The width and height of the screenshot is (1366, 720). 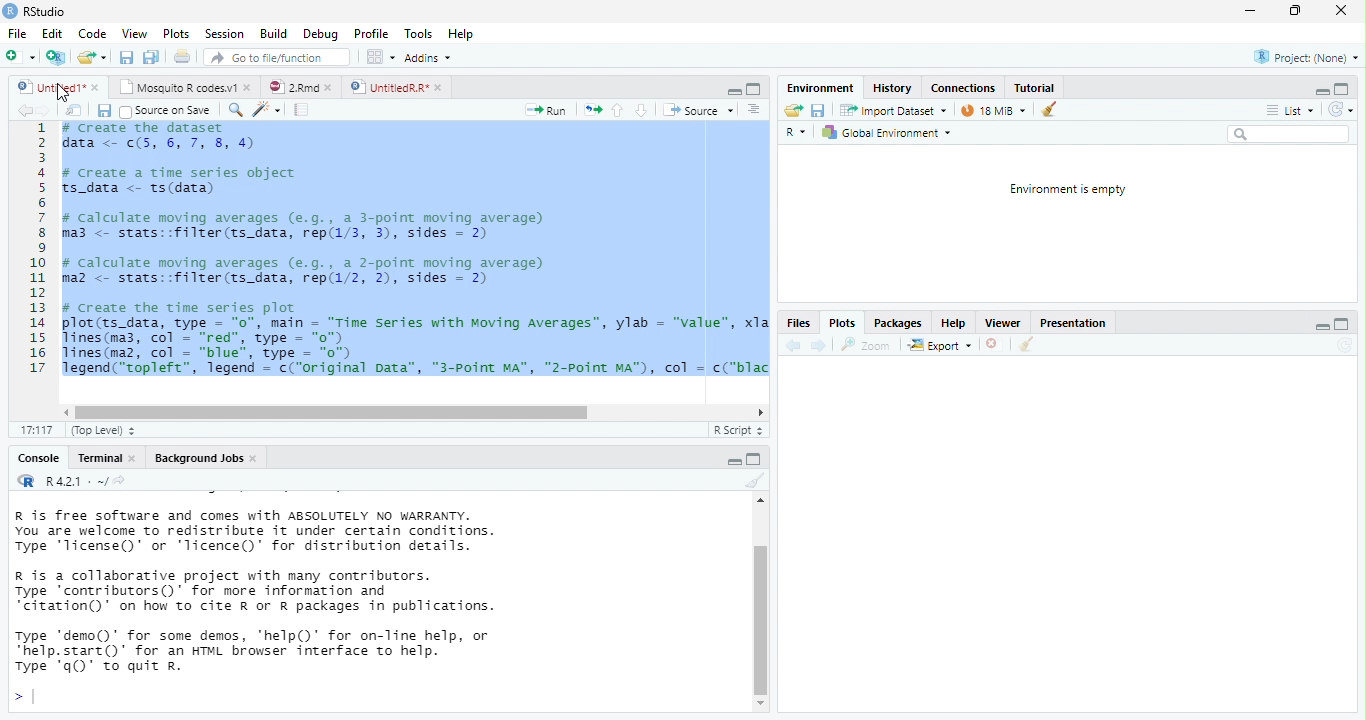 What do you see at coordinates (1307, 58) in the screenshot?
I see `Project: (None)` at bounding box center [1307, 58].